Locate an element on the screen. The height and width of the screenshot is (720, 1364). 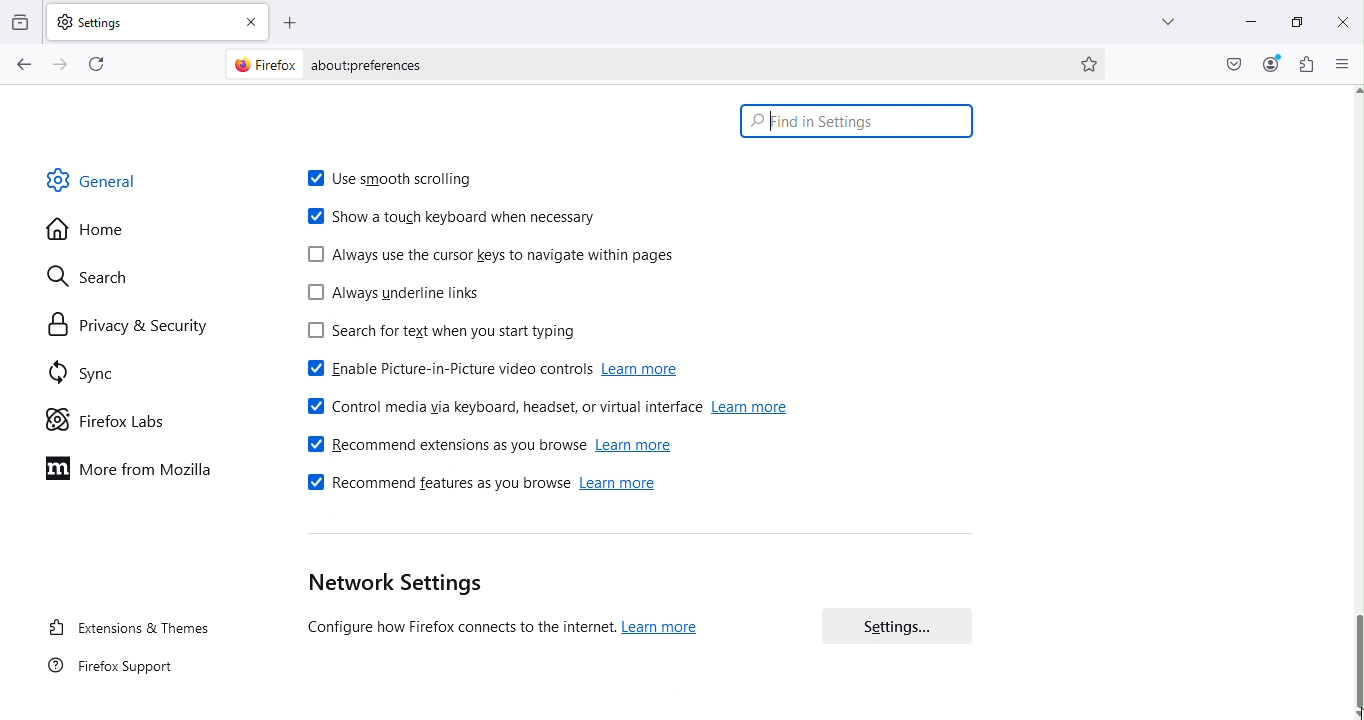
(Configure how Firefox connects to the internet is located at coordinates (455, 629).